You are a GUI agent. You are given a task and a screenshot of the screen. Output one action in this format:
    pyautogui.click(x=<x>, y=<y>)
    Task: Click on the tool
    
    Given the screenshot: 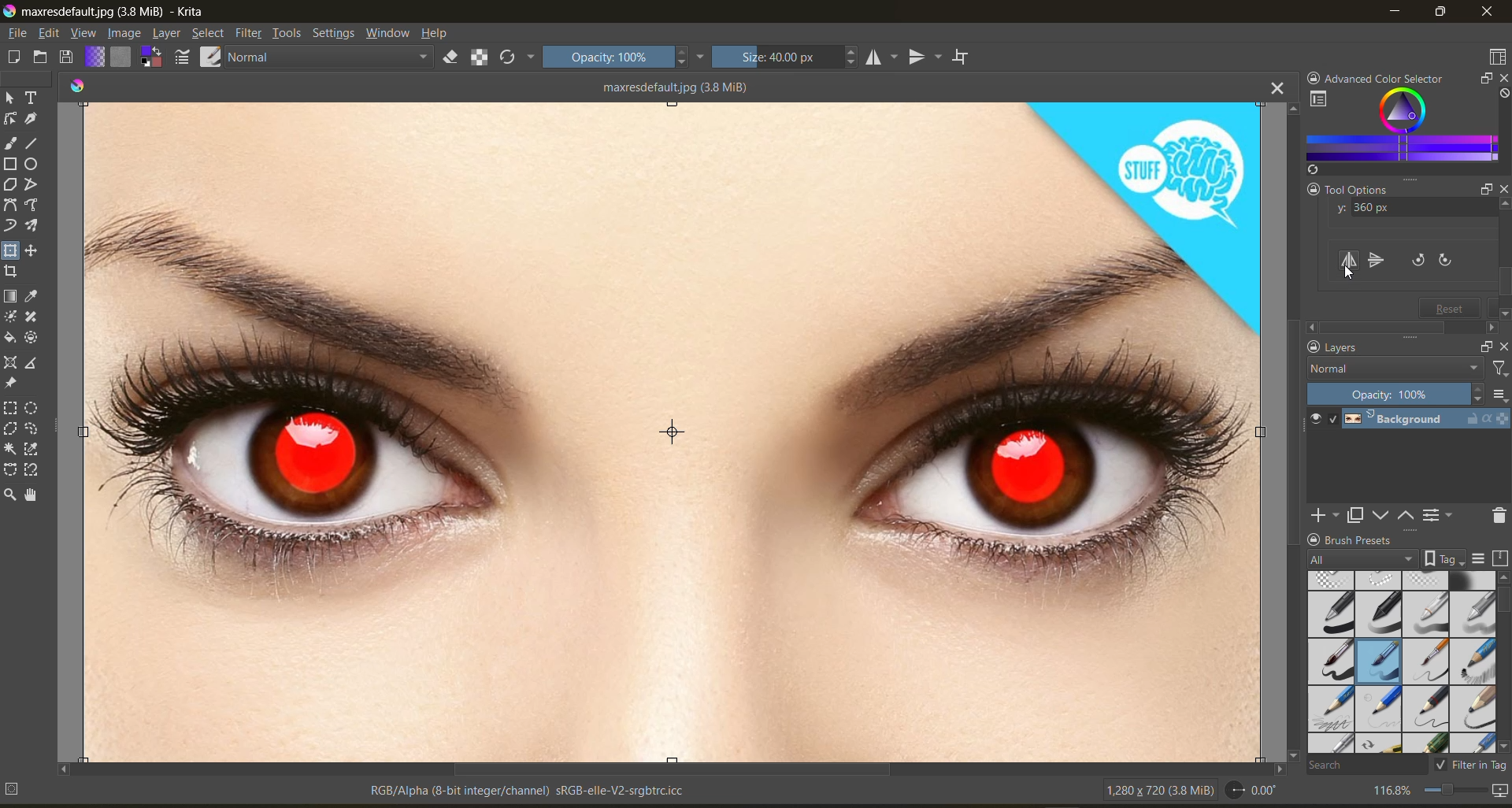 What is the action you would take?
    pyautogui.click(x=33, y=143)
    